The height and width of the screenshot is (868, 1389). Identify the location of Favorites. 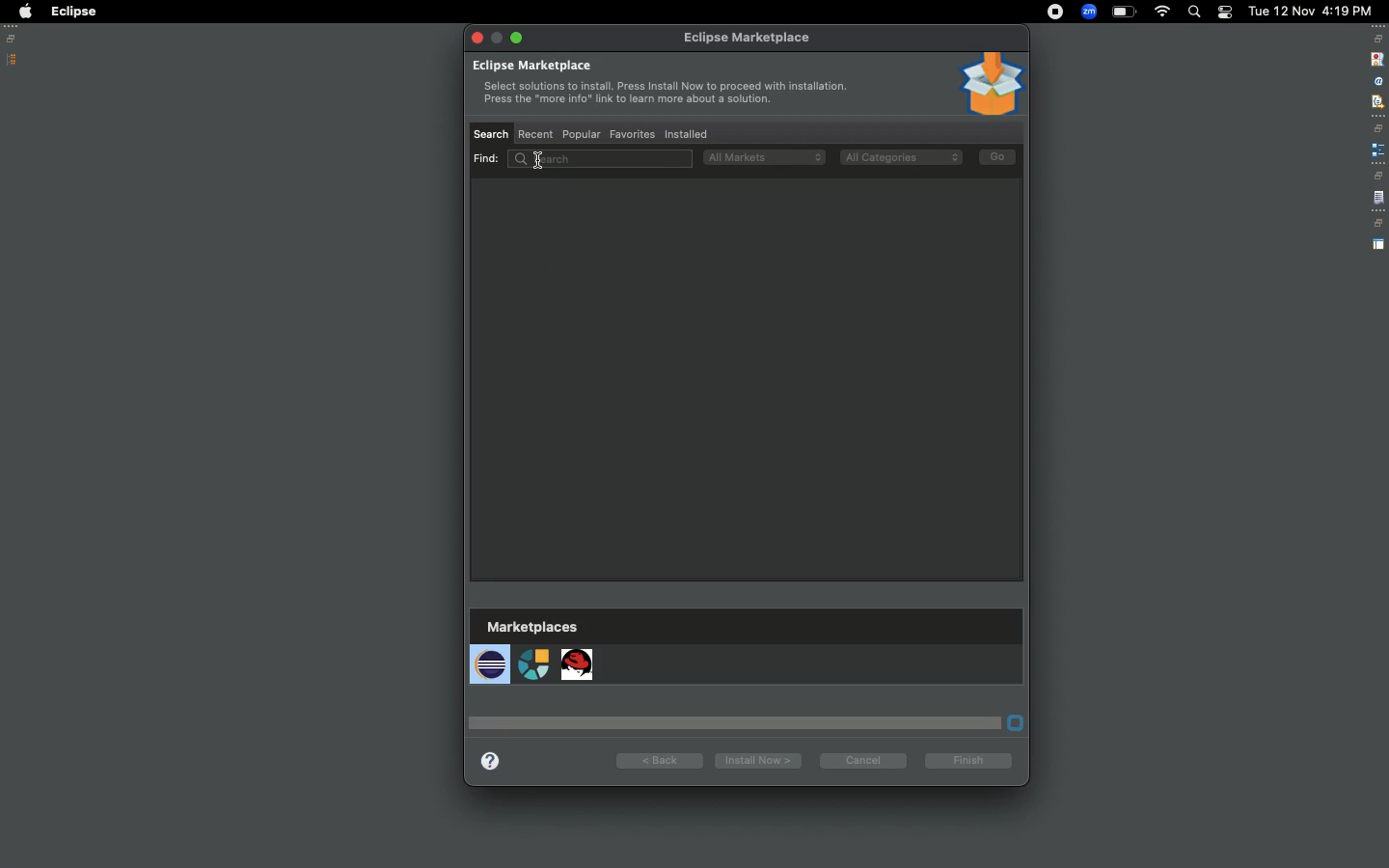
(630, 132).